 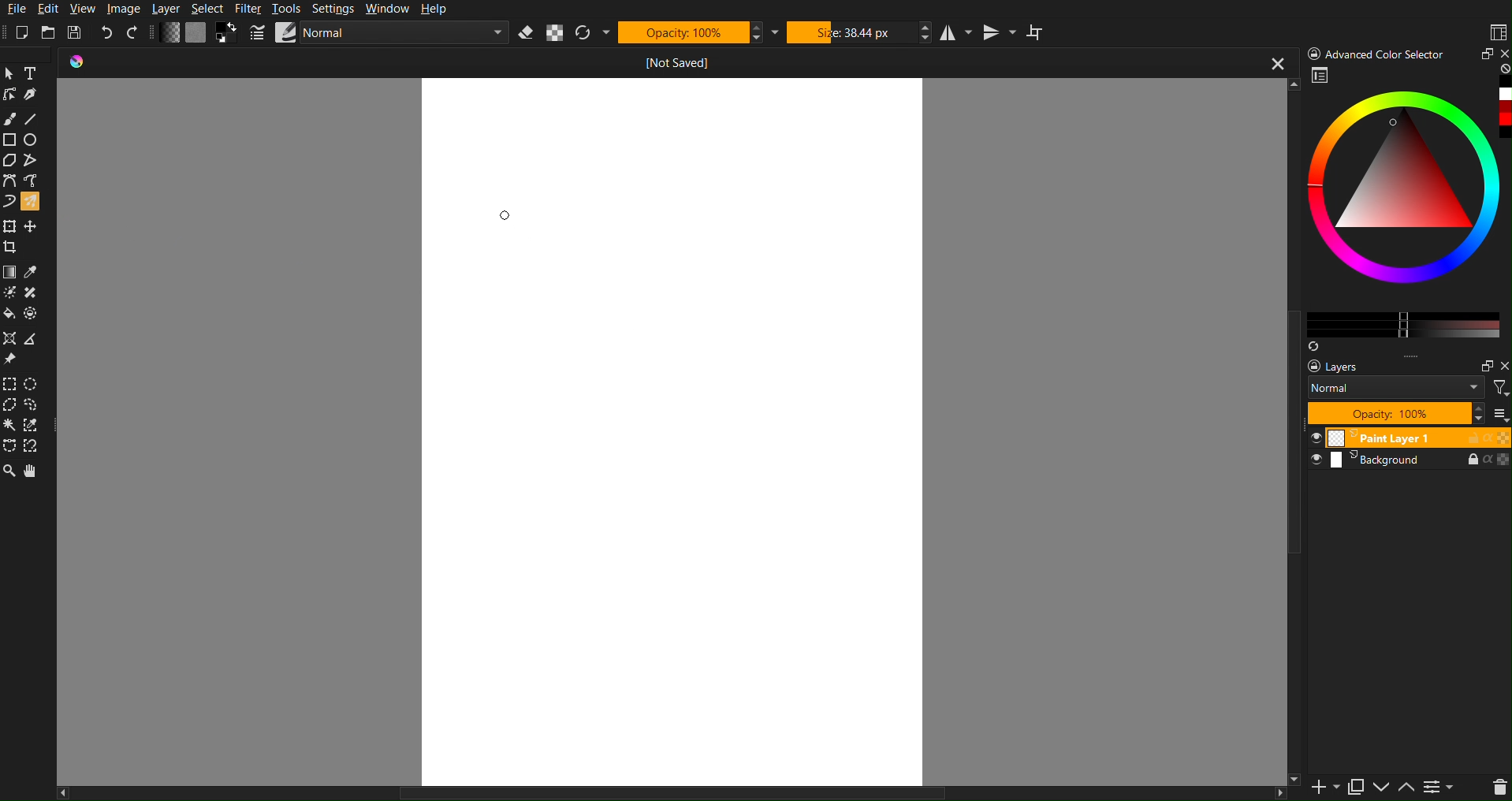 What do you see at coordinates (11, 405) in the screenshot?
I see `Polygon selection Tool` at bounding box center [11, 405].